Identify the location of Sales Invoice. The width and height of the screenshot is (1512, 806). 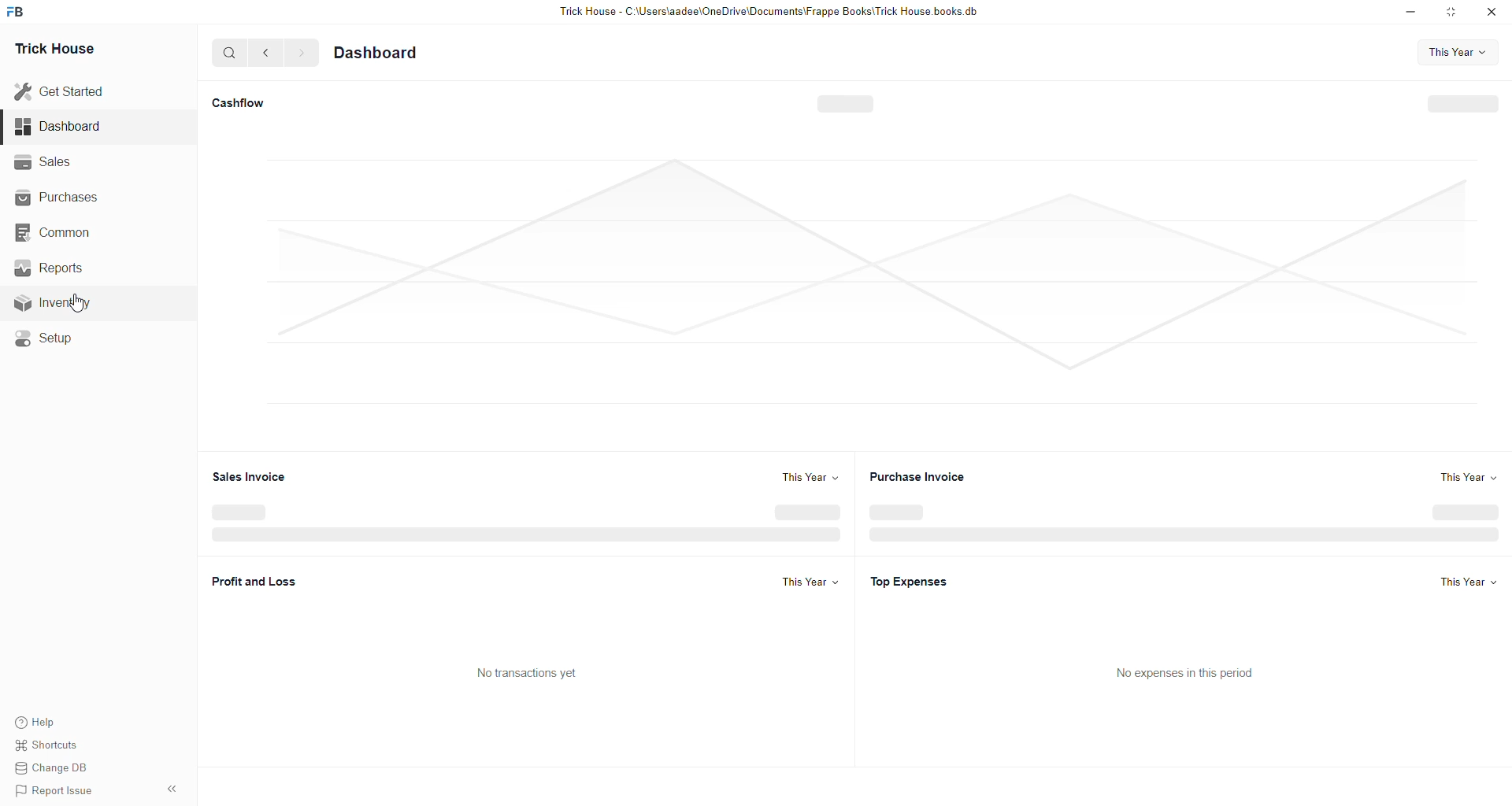
(253, 481).